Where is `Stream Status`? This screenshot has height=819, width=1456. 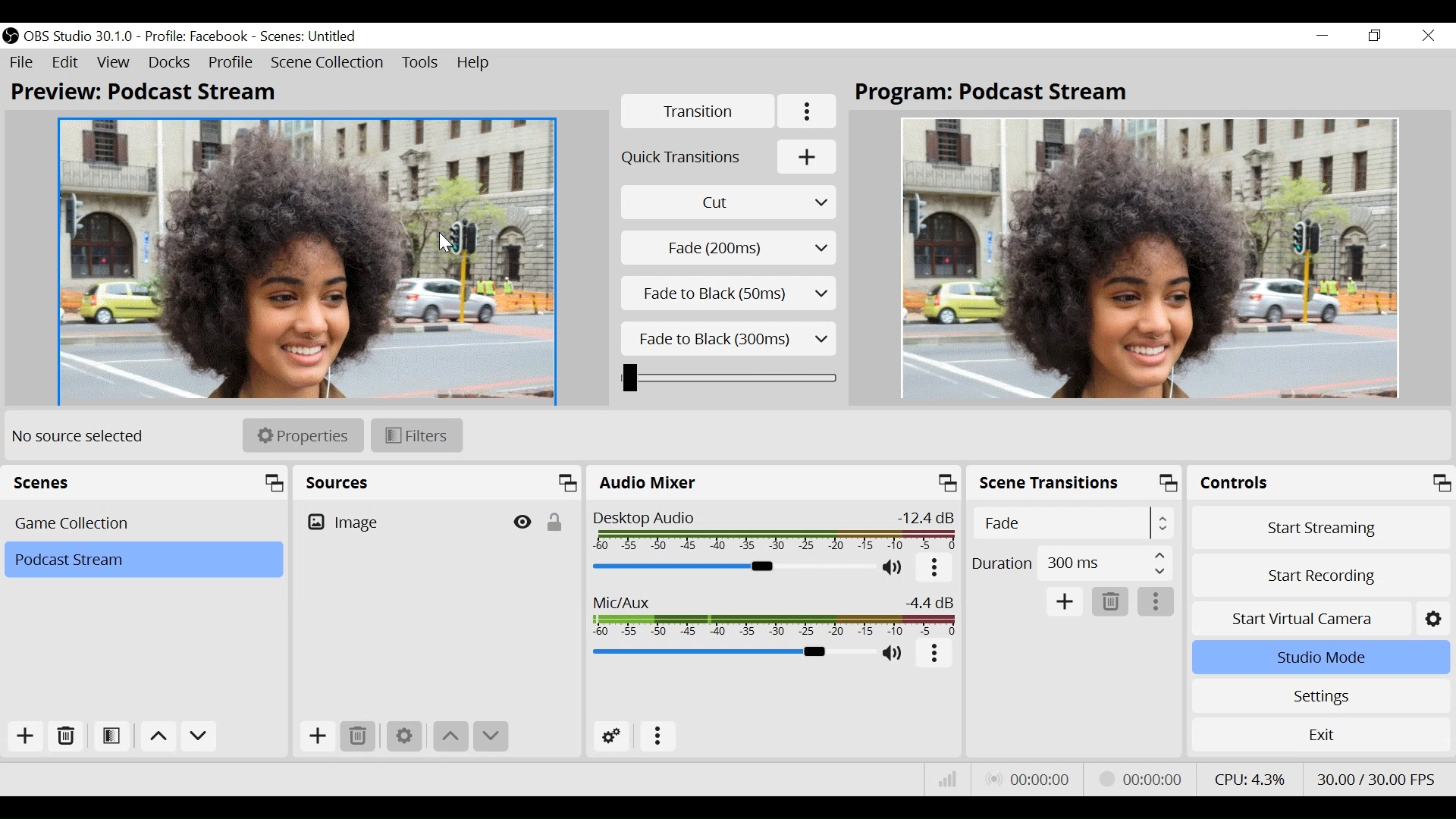
Stream Status is located at coordinates (1138, 779).